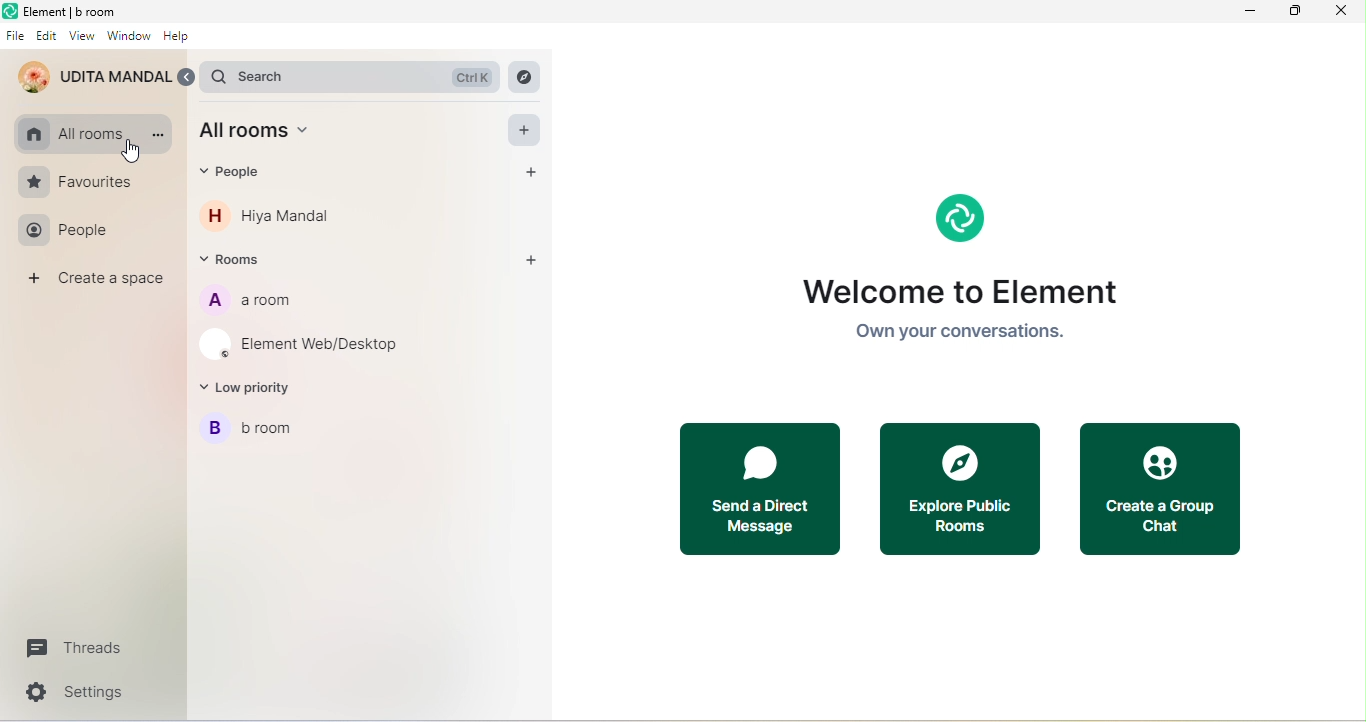 This screenshot has width=1366, height=722. What do you see at coordinates (161, 130) in the screenshot?
I see `option` at bounding box center [161, 130].